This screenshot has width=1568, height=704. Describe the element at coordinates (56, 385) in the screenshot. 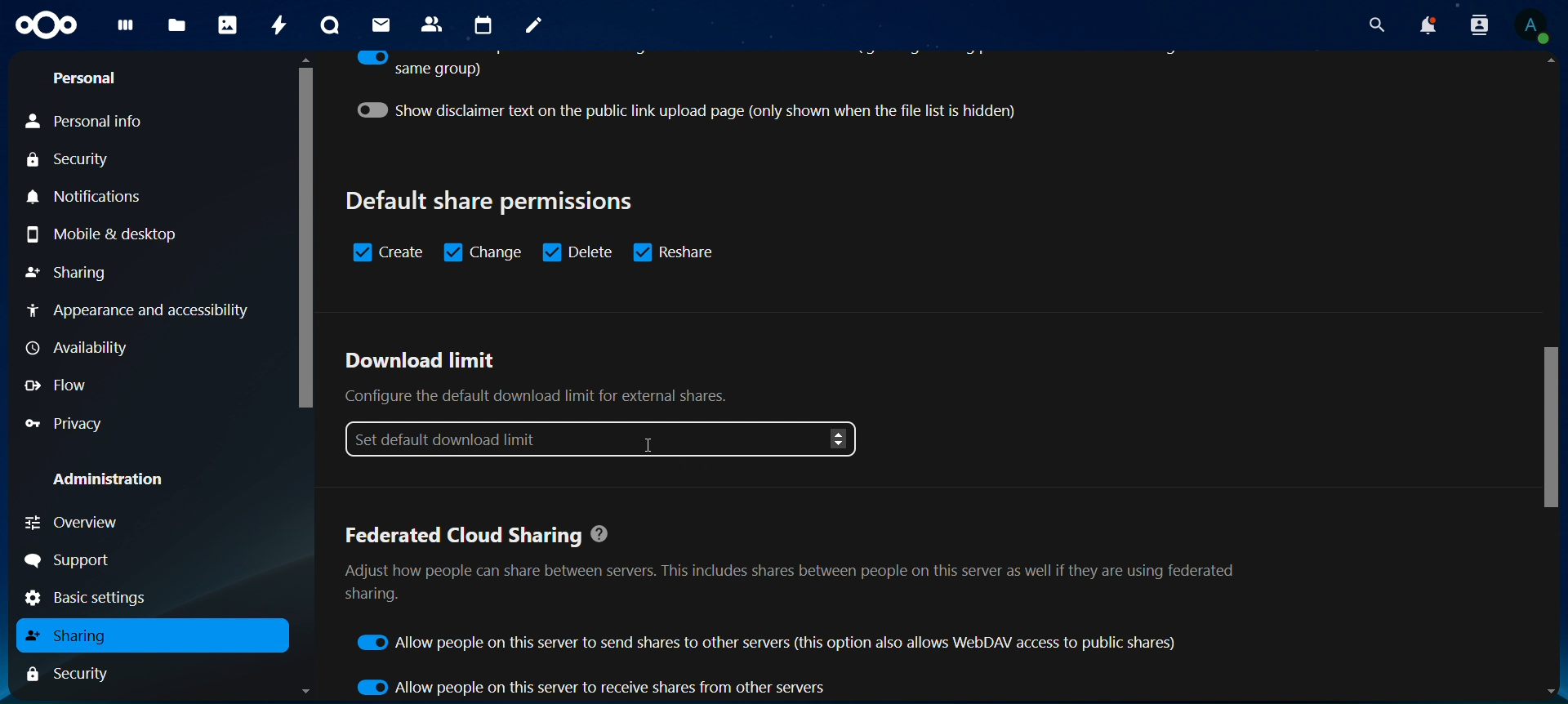

I see `flow` at that location.